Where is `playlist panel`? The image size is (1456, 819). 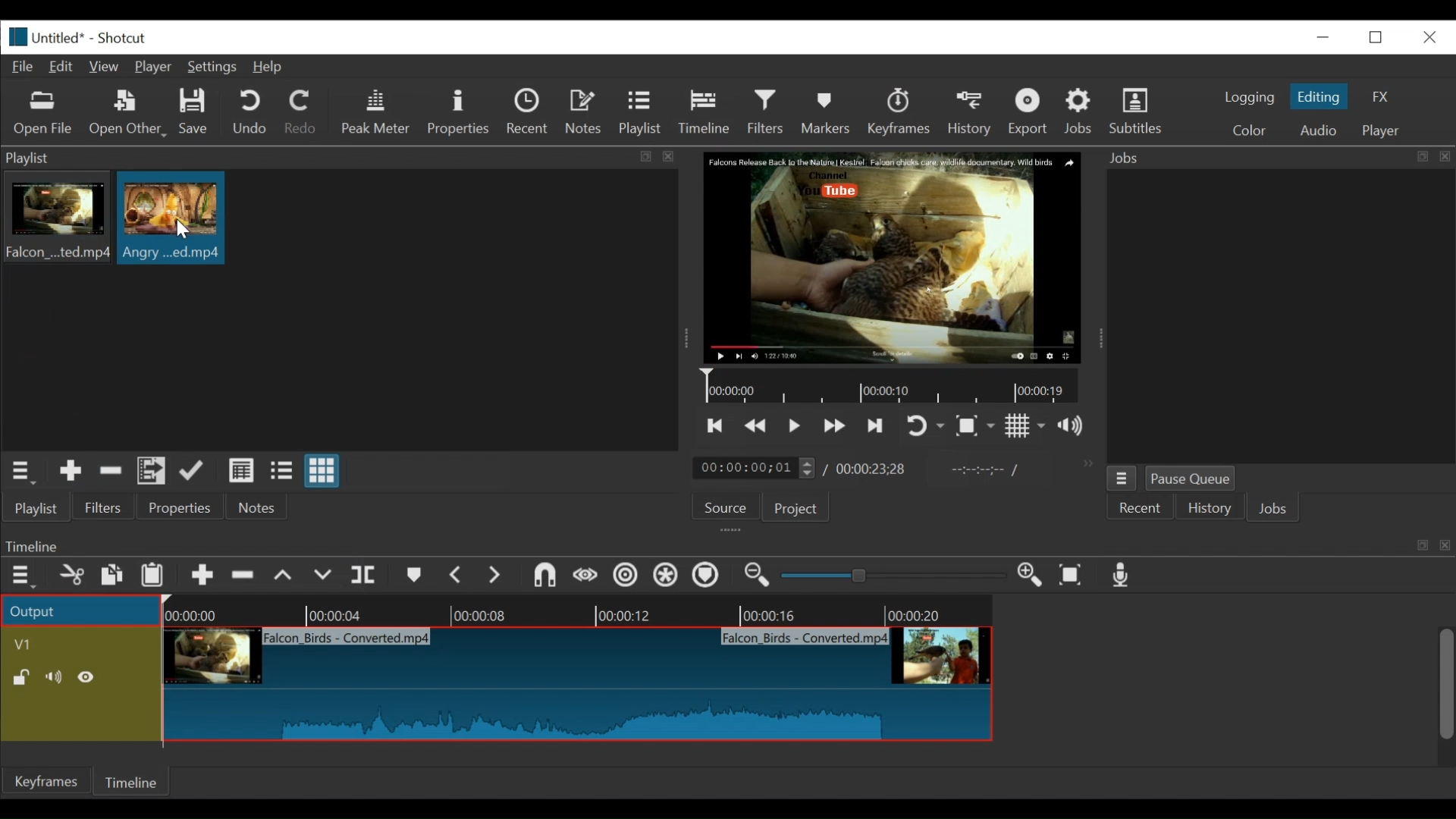 playlist panel is located at coordinates (334, 158).